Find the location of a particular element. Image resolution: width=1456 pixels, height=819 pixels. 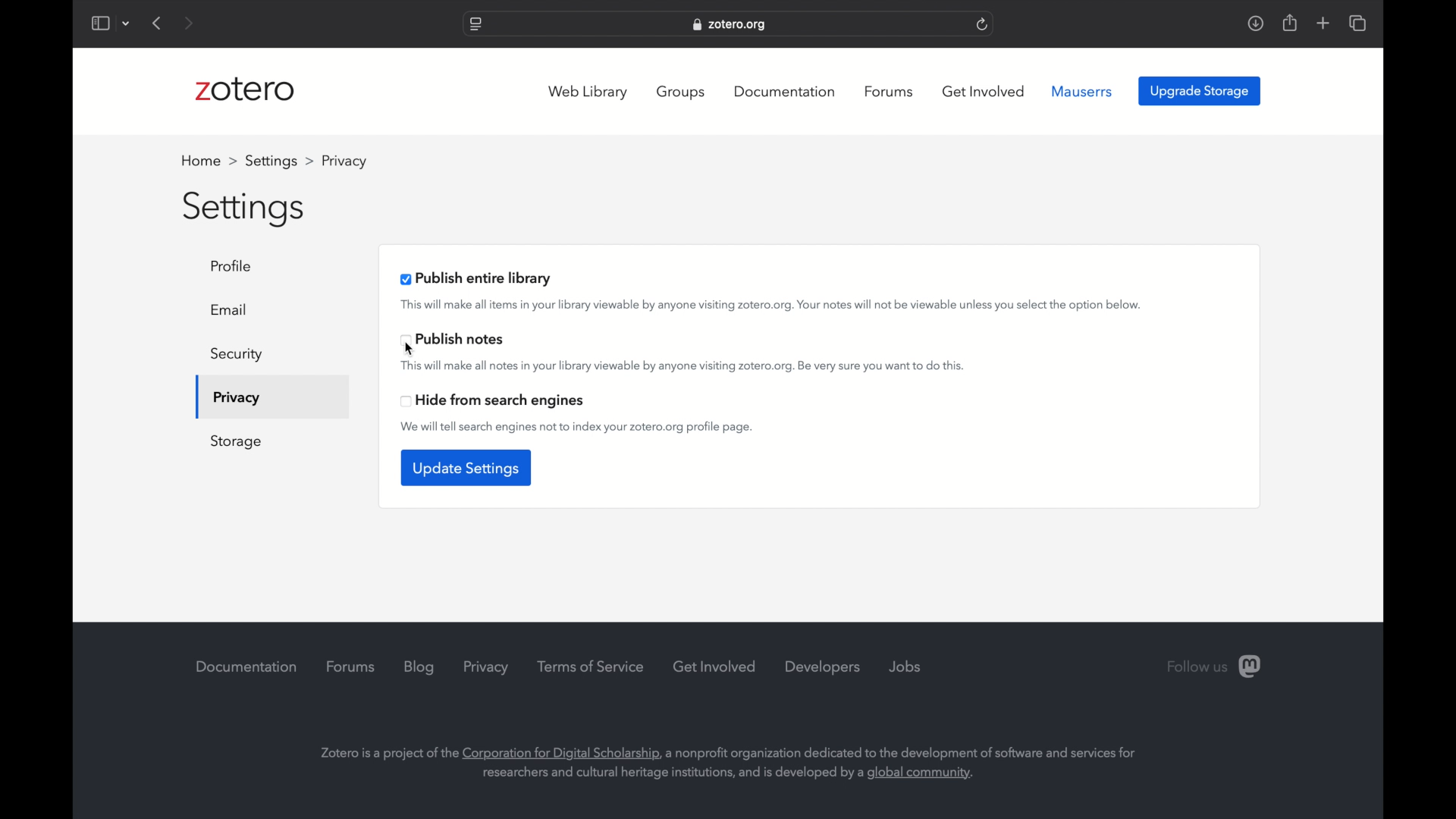

zotero is located at coordinates (245, 89).